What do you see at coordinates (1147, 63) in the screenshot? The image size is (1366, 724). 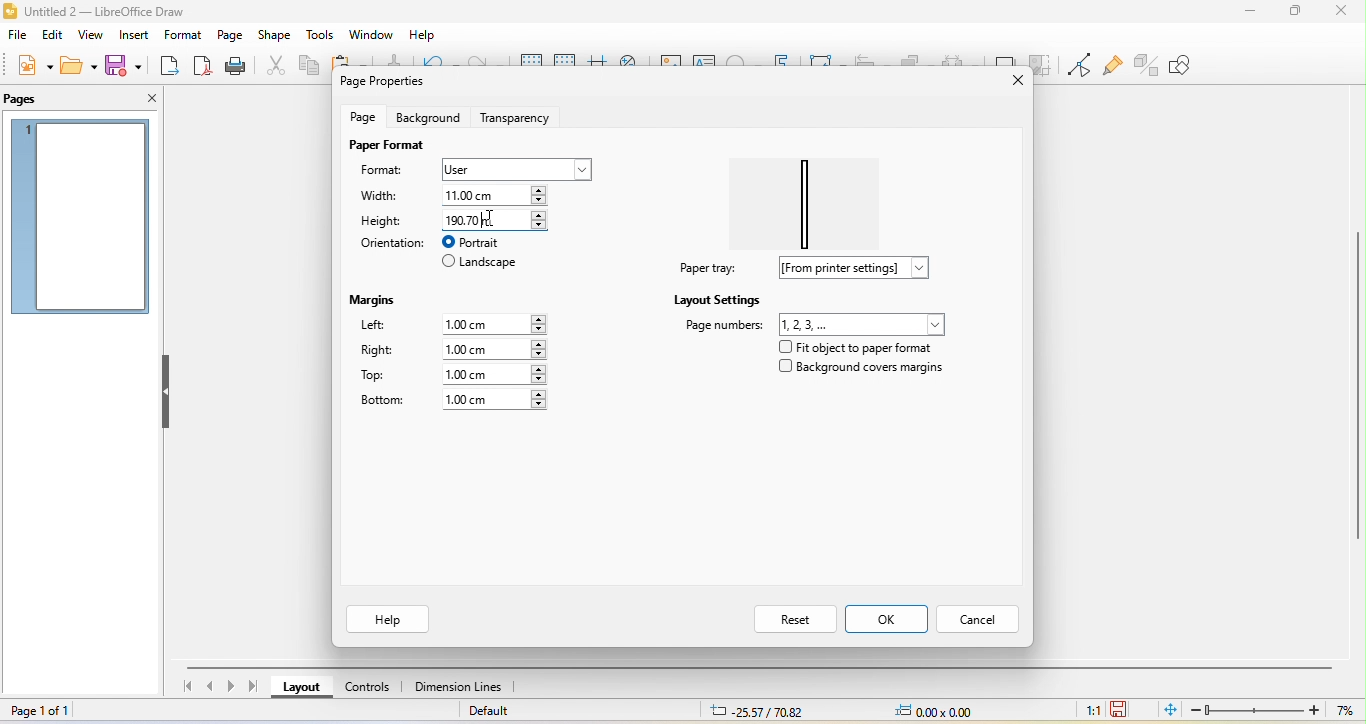 I see `toggle extrusion` at bounding box center [1147, 63].